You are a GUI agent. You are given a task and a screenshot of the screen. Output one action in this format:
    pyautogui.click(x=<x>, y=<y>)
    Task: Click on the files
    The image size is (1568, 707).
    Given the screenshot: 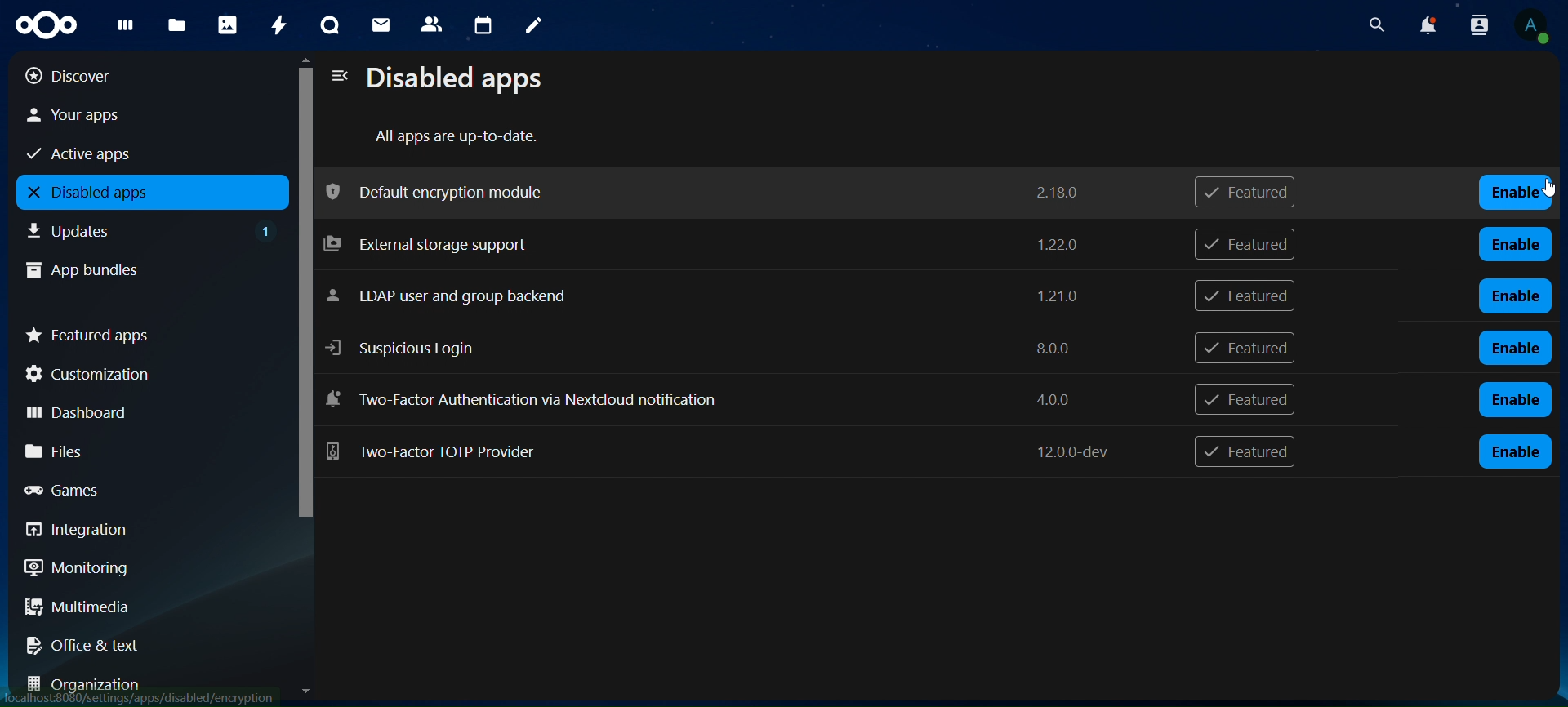 What is the action you would take?
    pyautogui.click(x=143, y=451)
    